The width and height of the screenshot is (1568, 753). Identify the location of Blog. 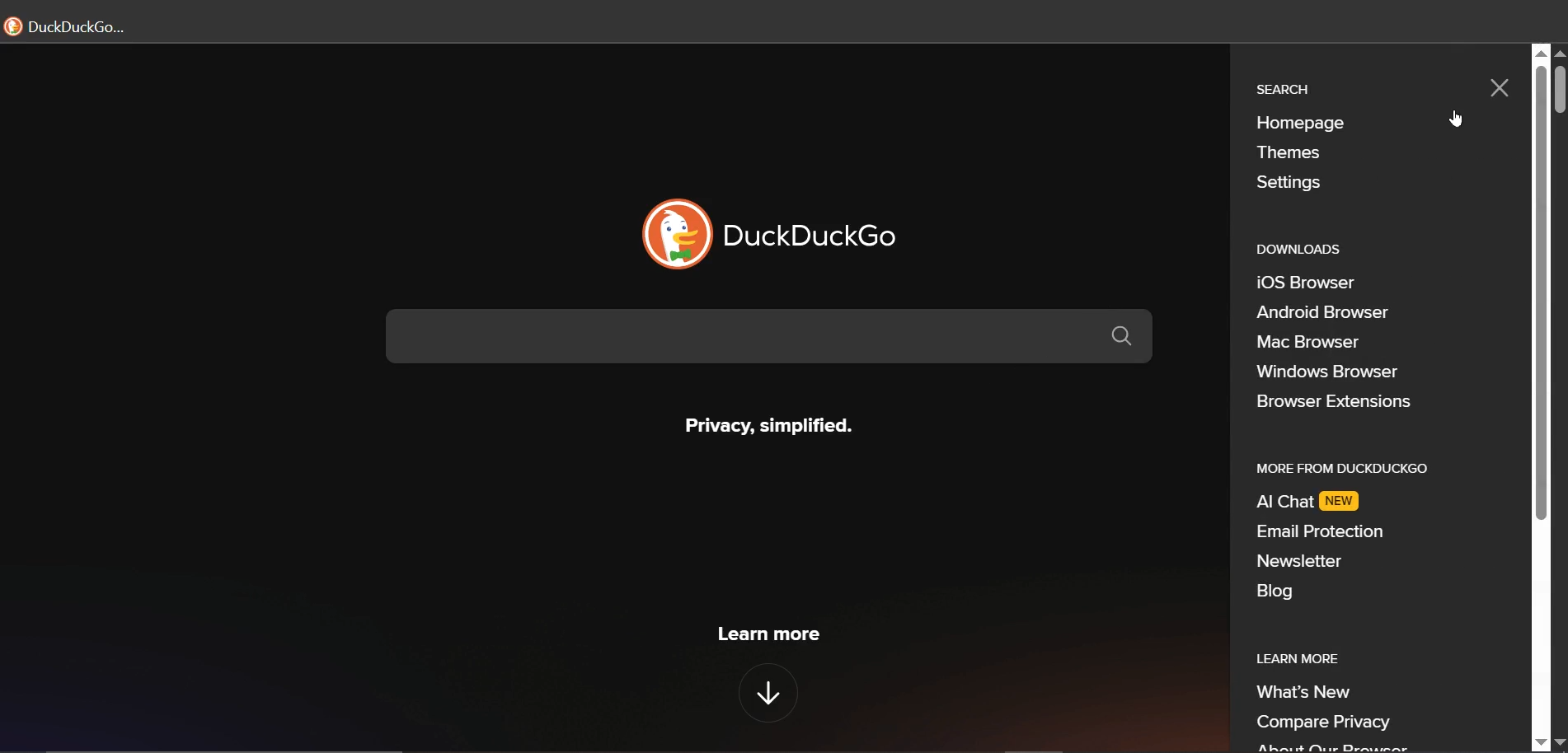
(1279, 591).